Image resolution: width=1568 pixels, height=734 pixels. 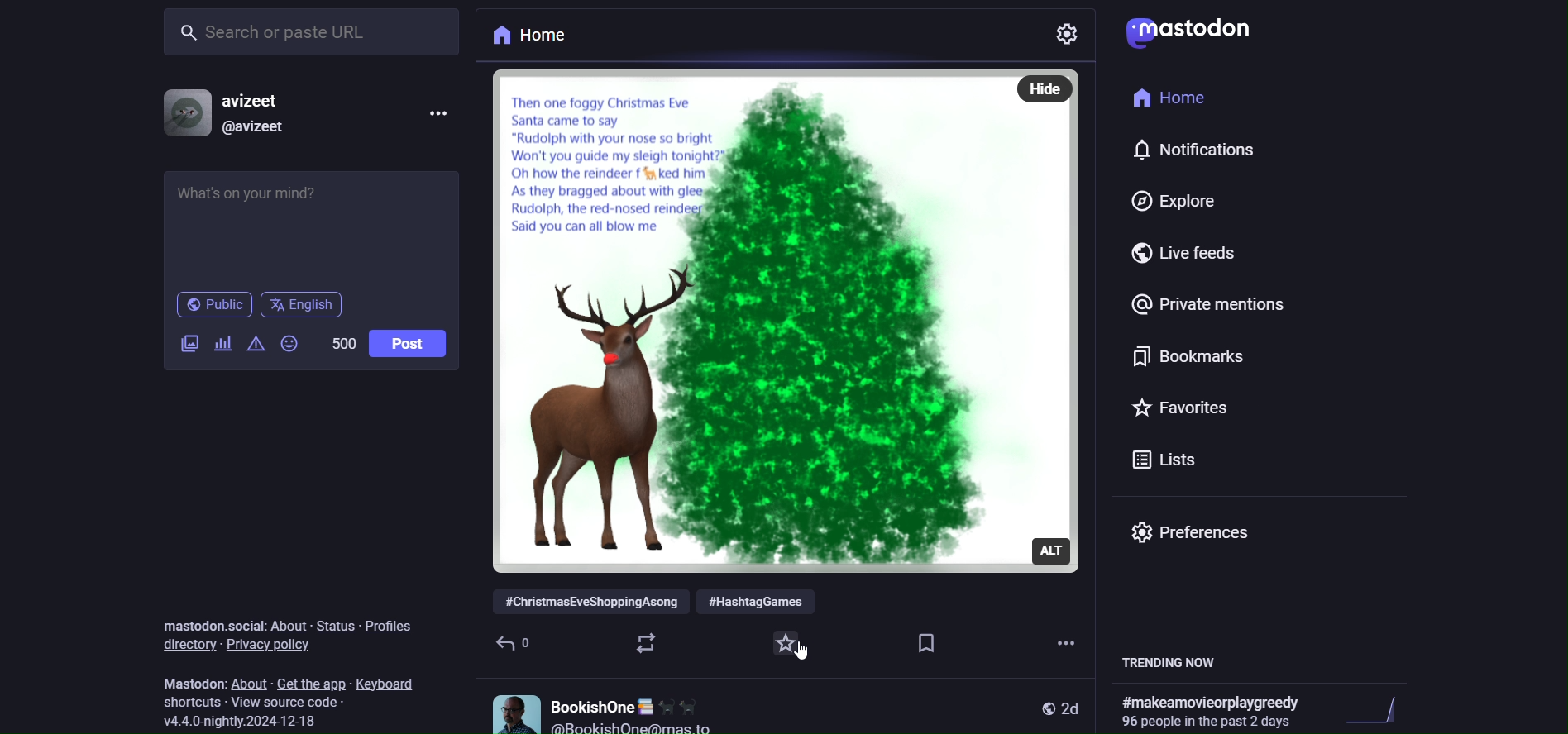 I want to click on view source code, so click(x=292, y=702).